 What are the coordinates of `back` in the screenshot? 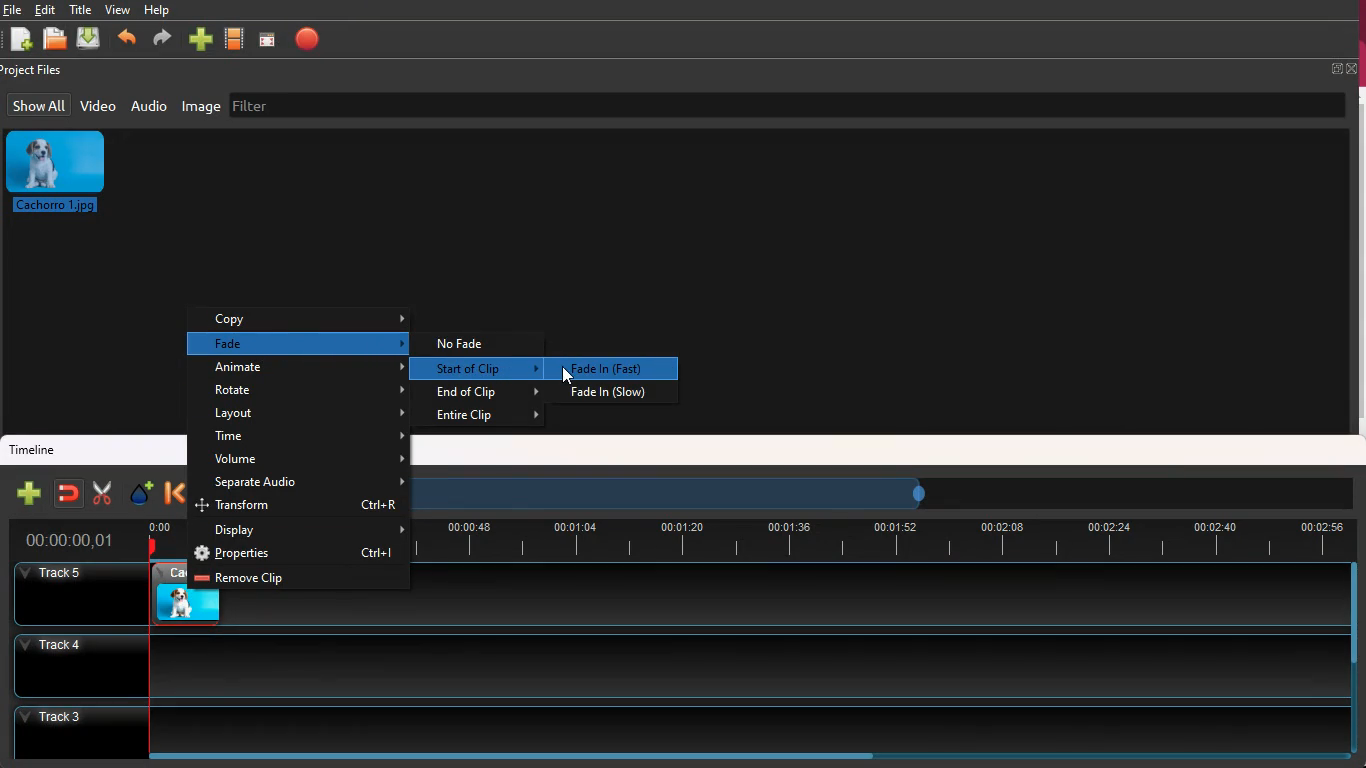 It's located at (172, 494).